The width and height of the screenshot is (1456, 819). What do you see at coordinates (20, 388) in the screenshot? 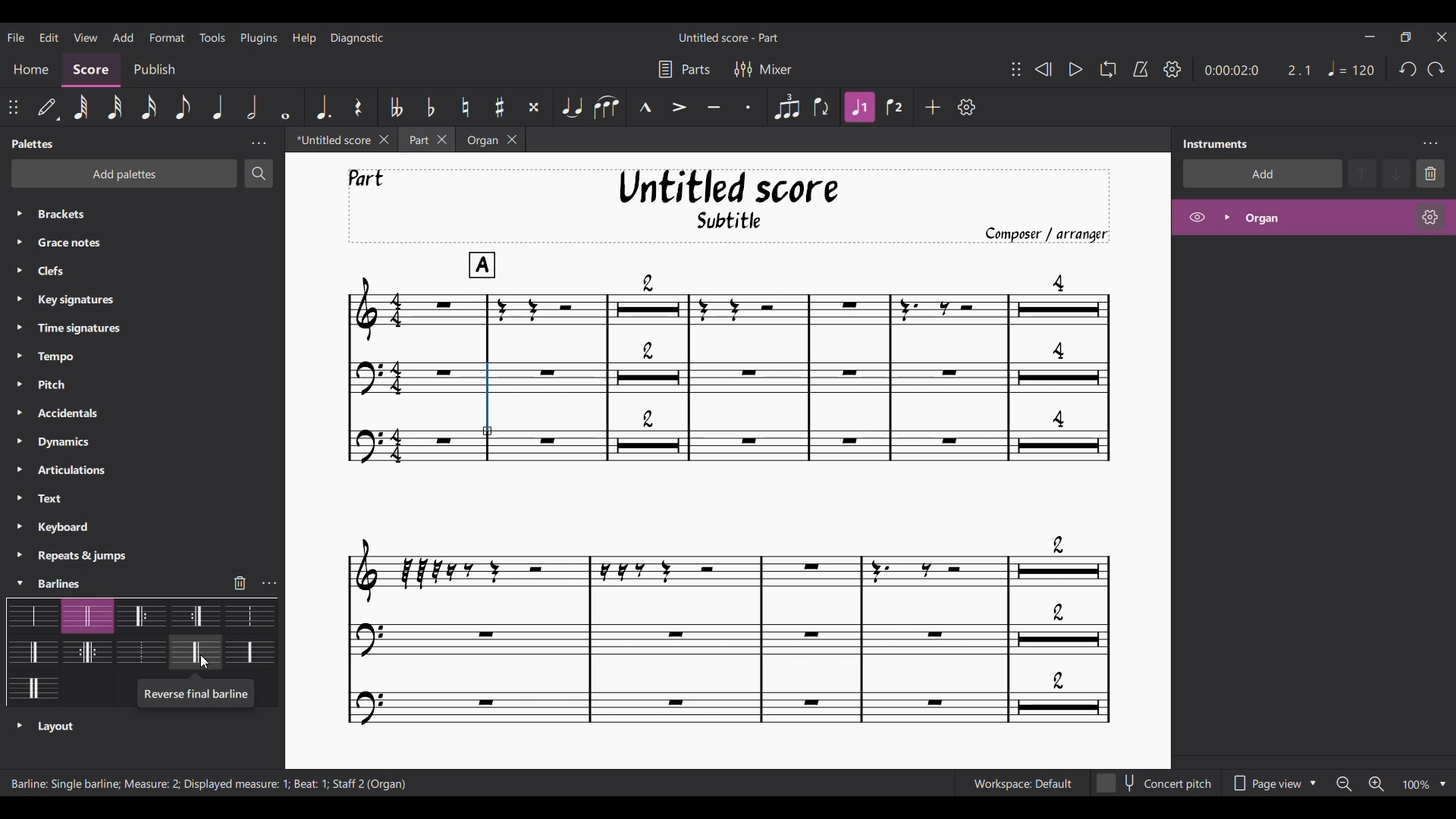
I see `Click to expand respective palette` at bounding box center [20, 388].